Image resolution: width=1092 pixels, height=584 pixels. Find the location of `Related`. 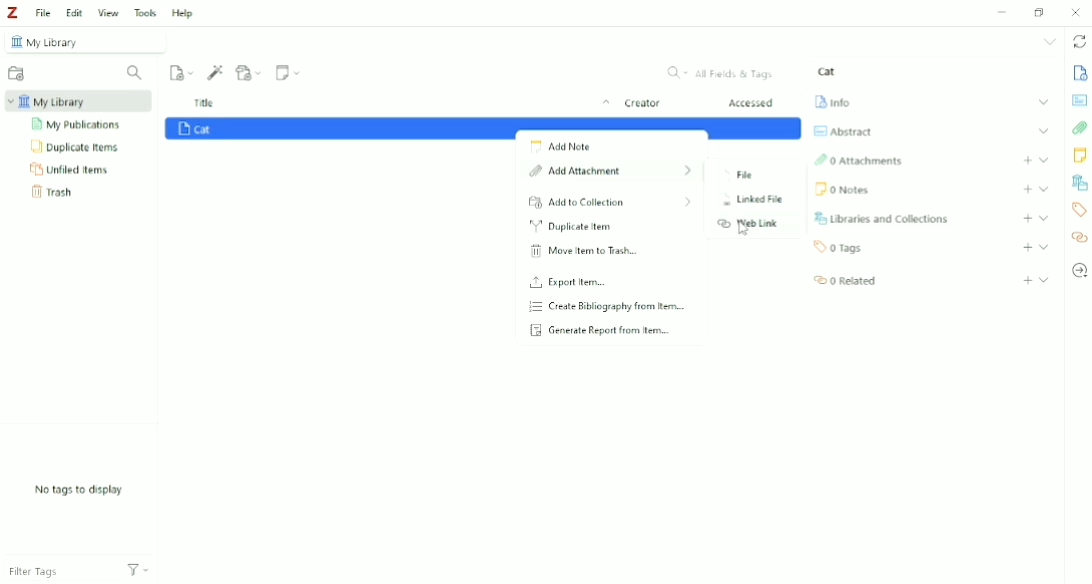

Related is located at coordinates (1079, 238).